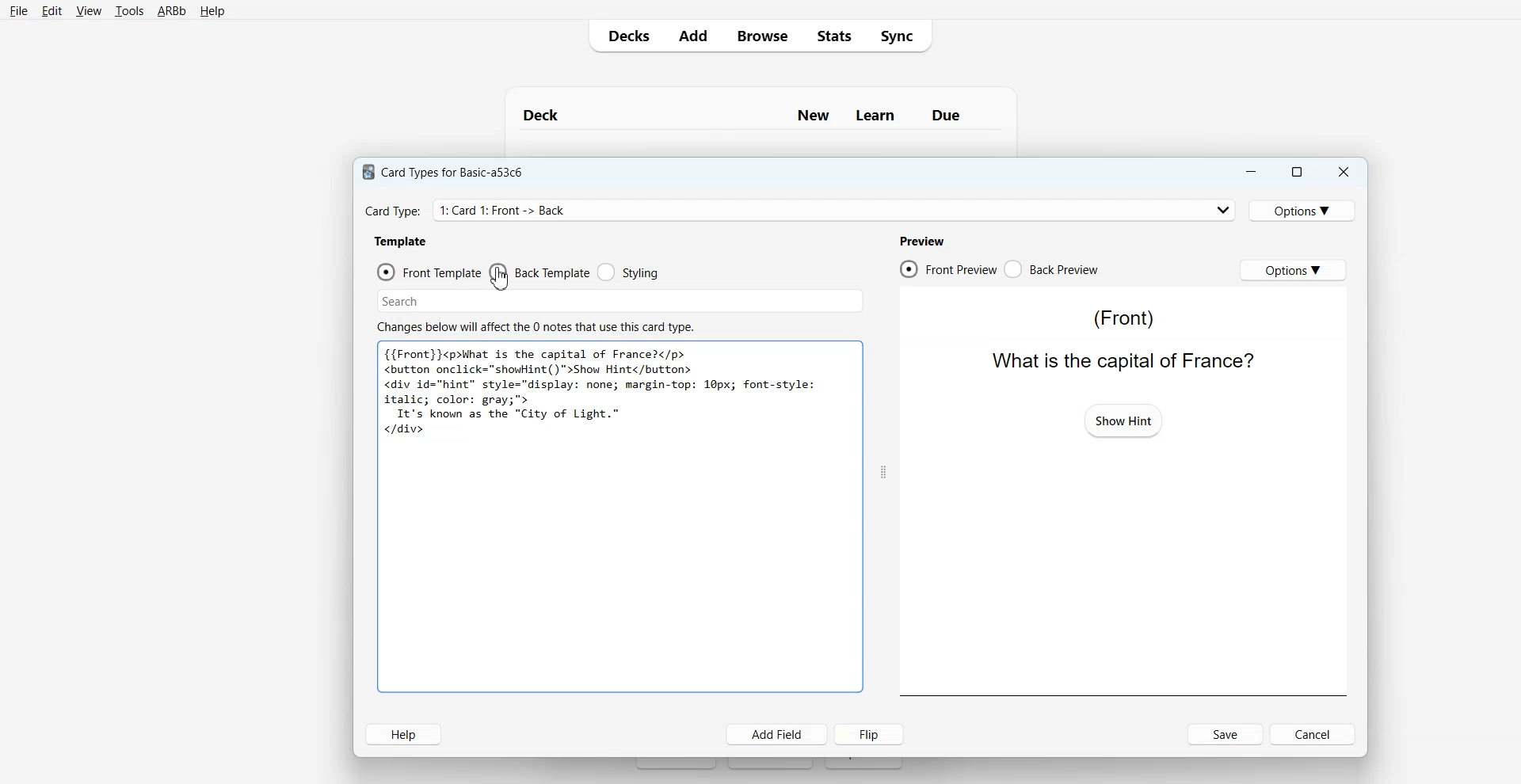 The height and width of the screenshot is (784, 1521). What do you see at coordinates (1305, 210) in the screenshot?
I see `Options` at bounding box center [1305, 210].